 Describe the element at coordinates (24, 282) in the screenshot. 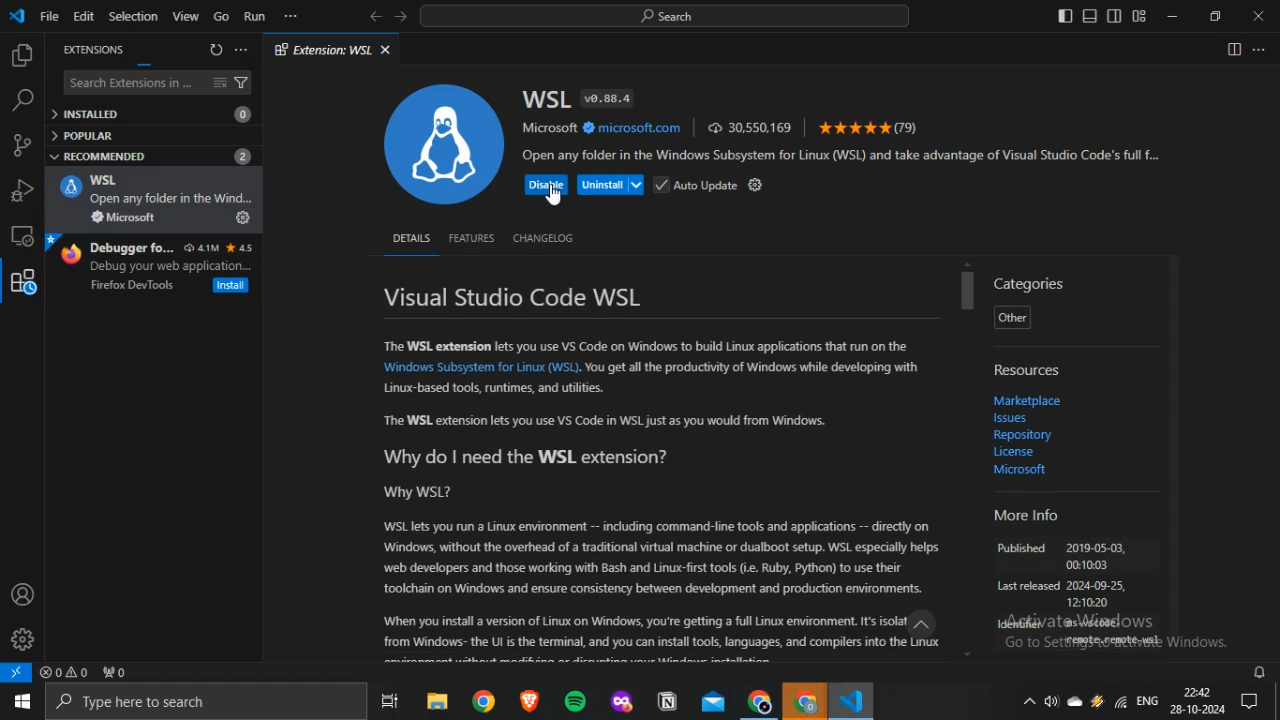

I see `extensions` at that location.